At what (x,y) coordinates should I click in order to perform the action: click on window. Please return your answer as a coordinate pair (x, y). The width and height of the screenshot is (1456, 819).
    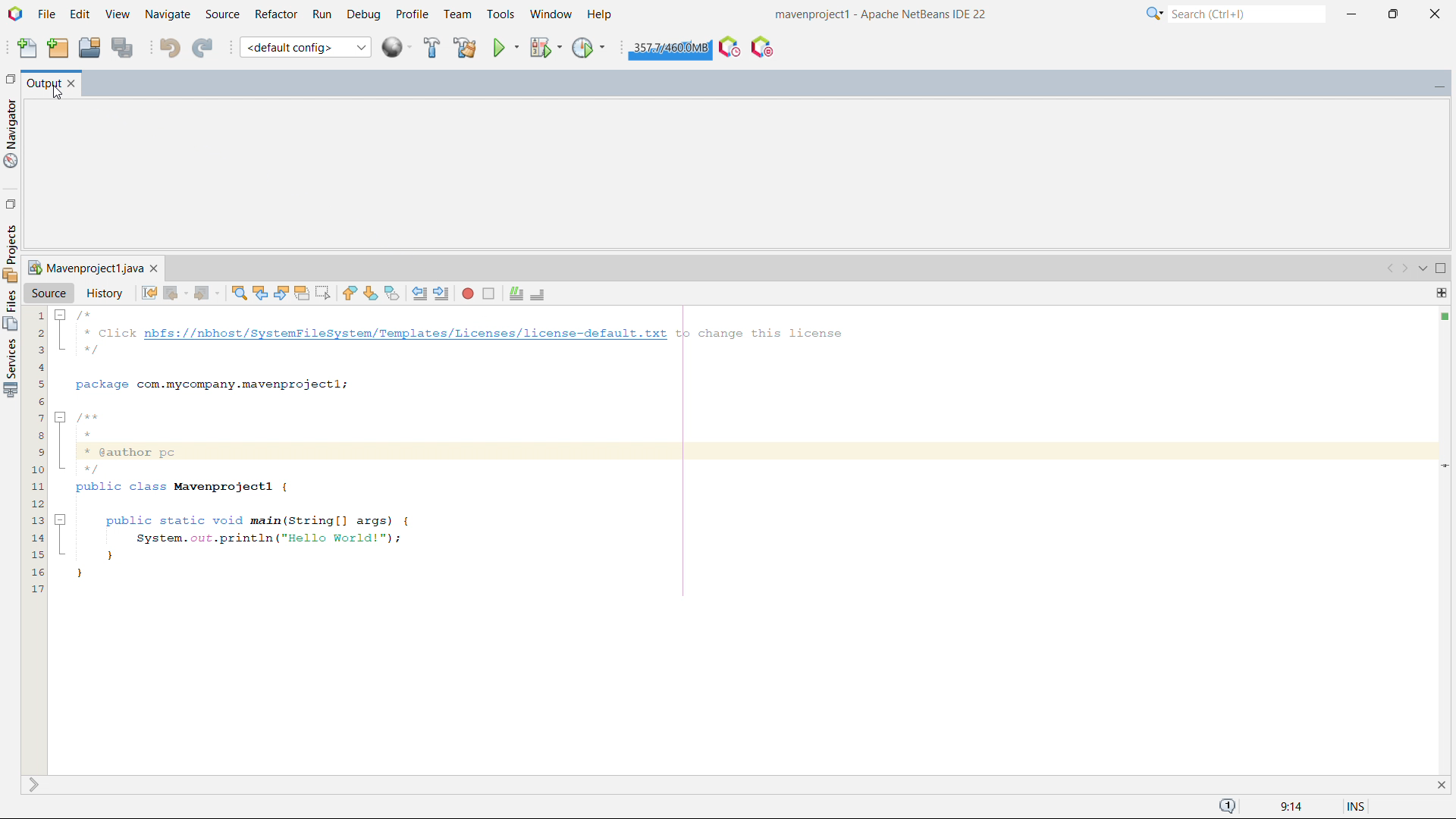
    Looking at the image, I should click on (551, 14).